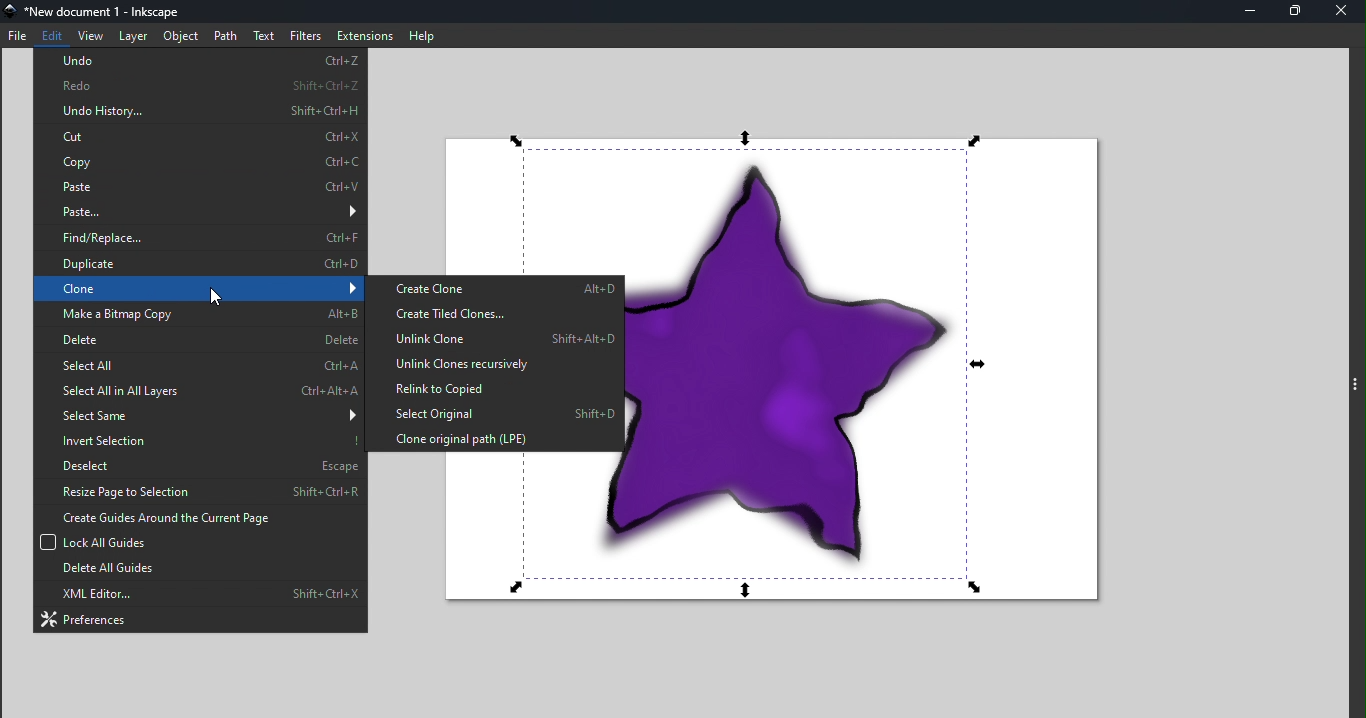  Describe the element at coordinates (200, 619) in the screenshot. I see `Preferences` at that location.